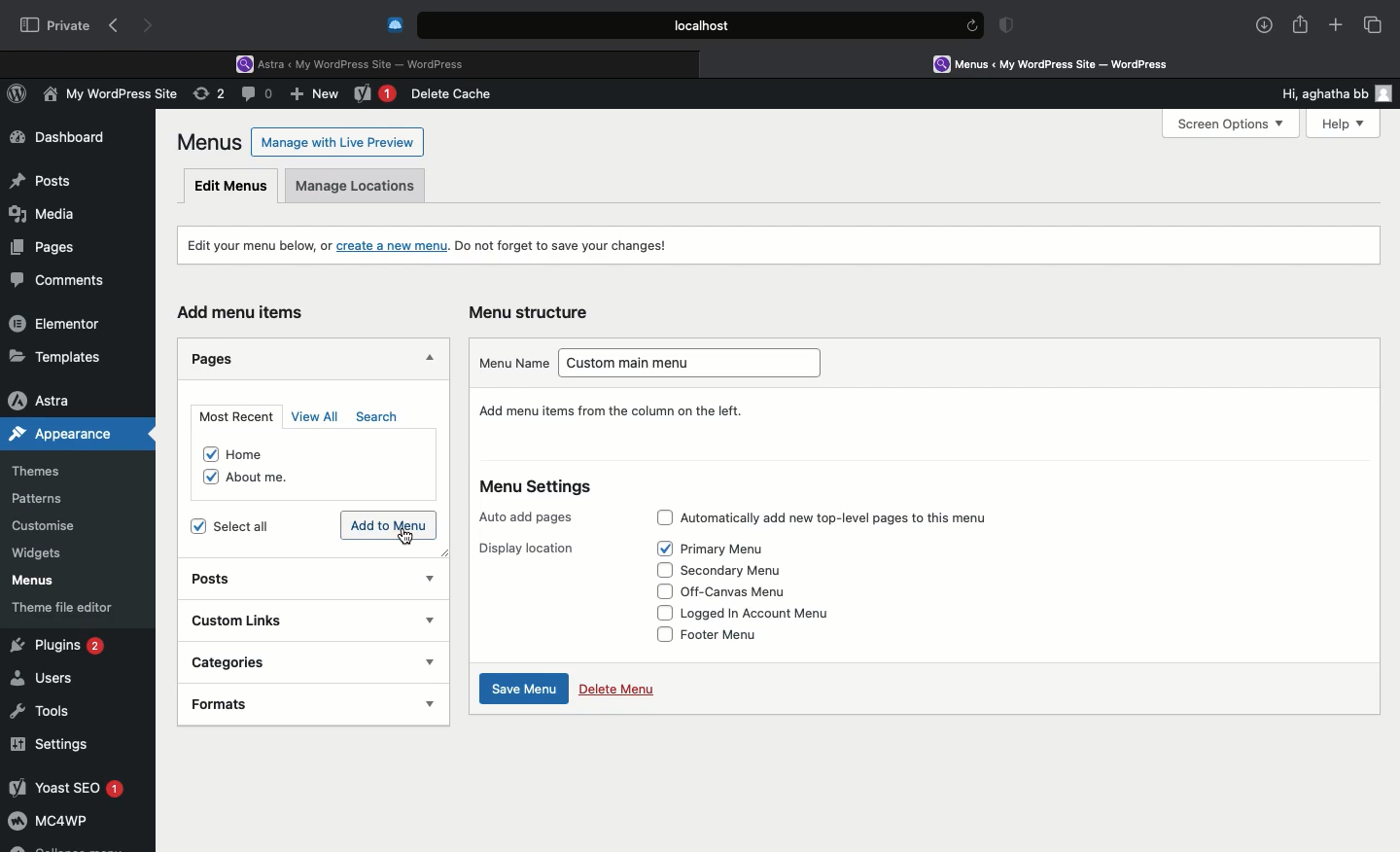 The width and height of the screenshot is (1400, 852). I want to click on Tools, so click(42, 708).